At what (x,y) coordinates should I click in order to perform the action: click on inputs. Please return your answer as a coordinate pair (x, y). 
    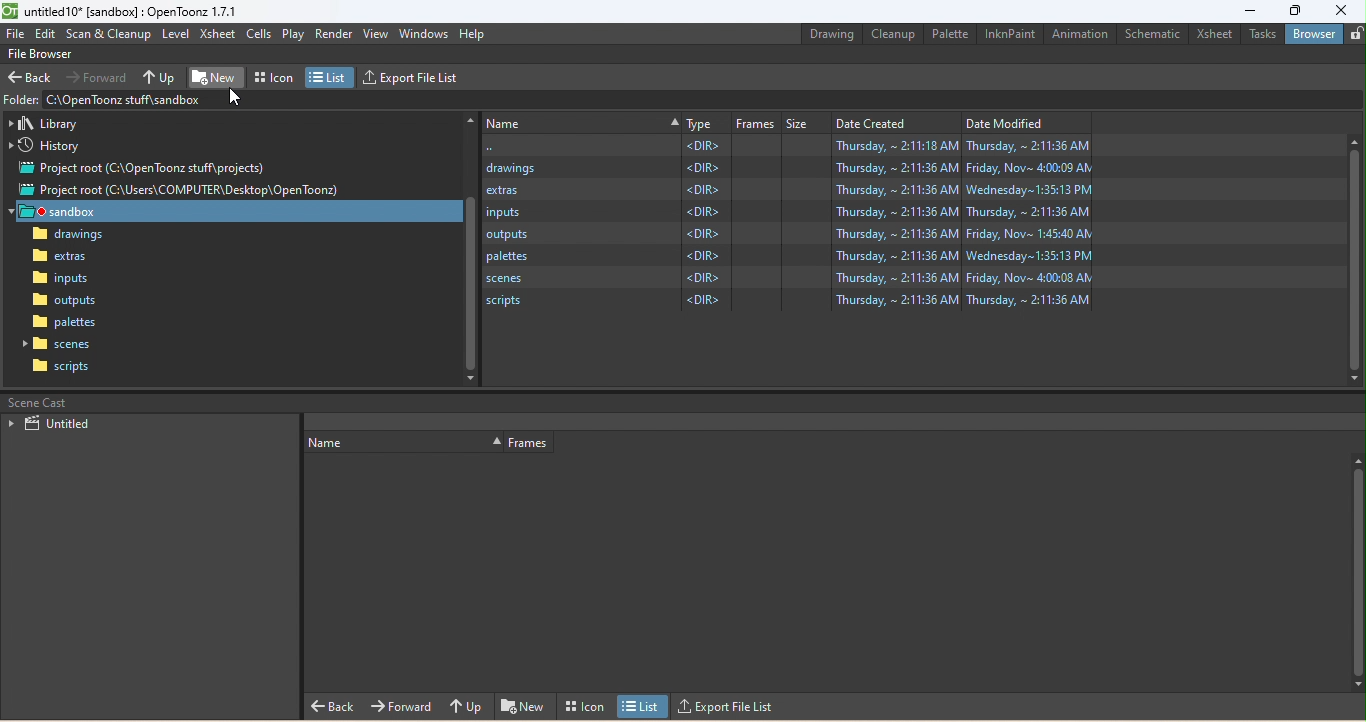
    Looking at the image, I should click on (786, 210).